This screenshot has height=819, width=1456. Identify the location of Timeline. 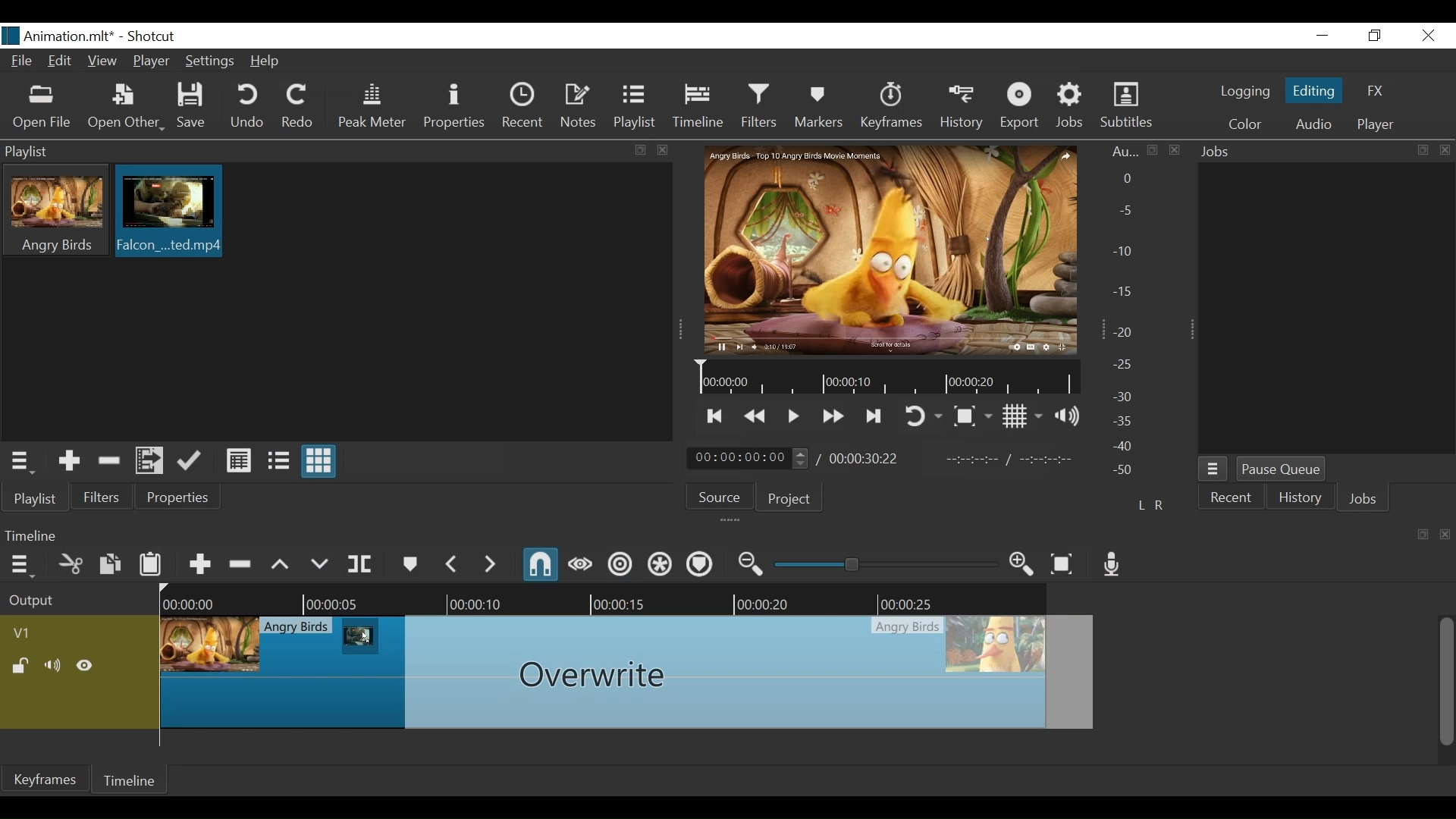
(885, 378).